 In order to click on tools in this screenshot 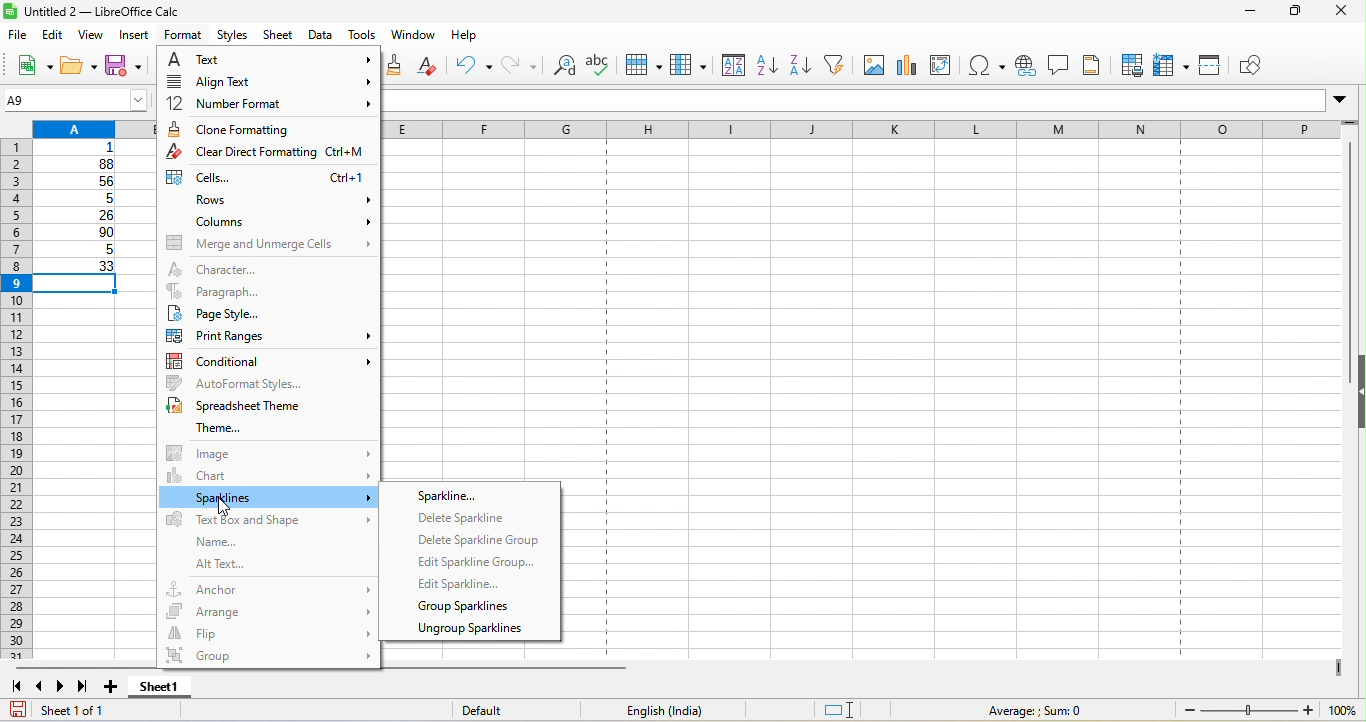, I will do `click(363, 36)`.